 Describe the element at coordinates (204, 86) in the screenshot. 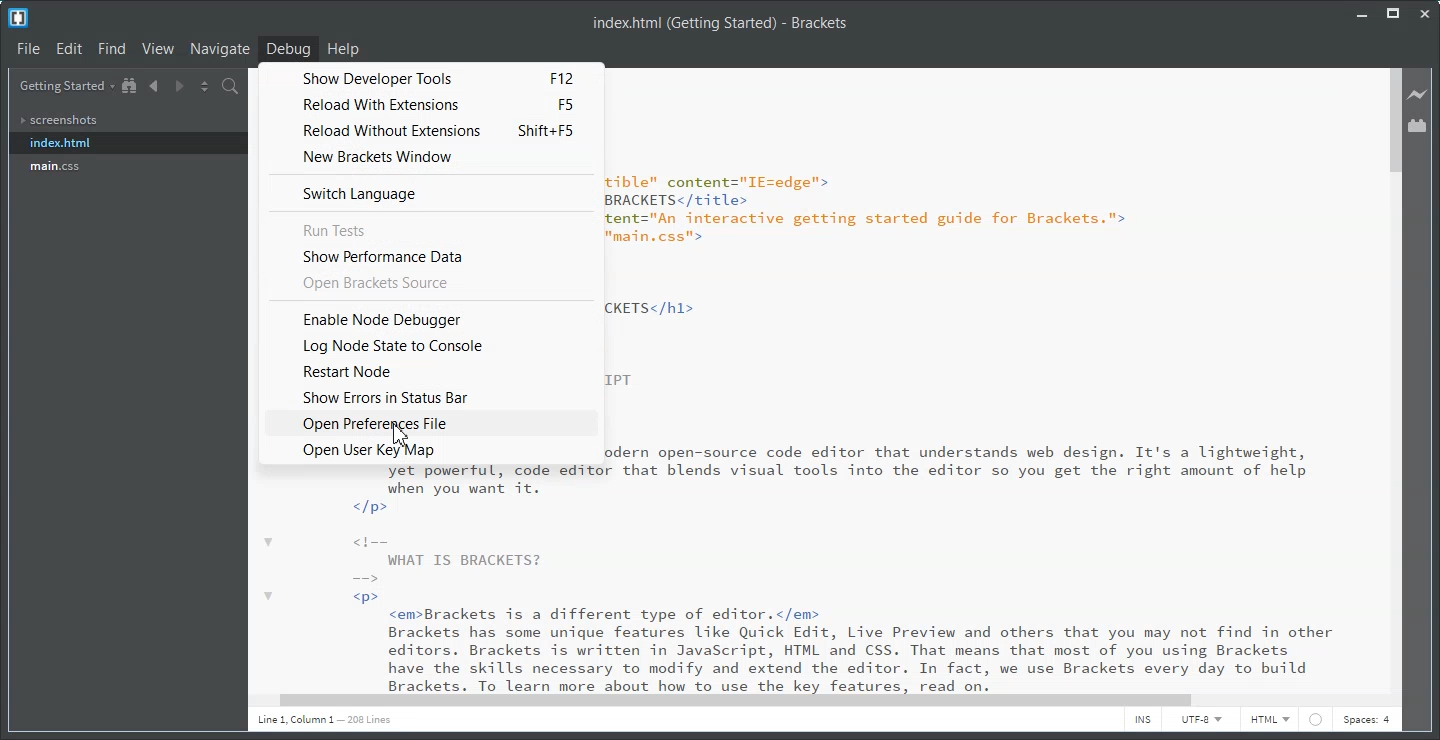

I see `Split the editor vertically or Horizontally` at that location.